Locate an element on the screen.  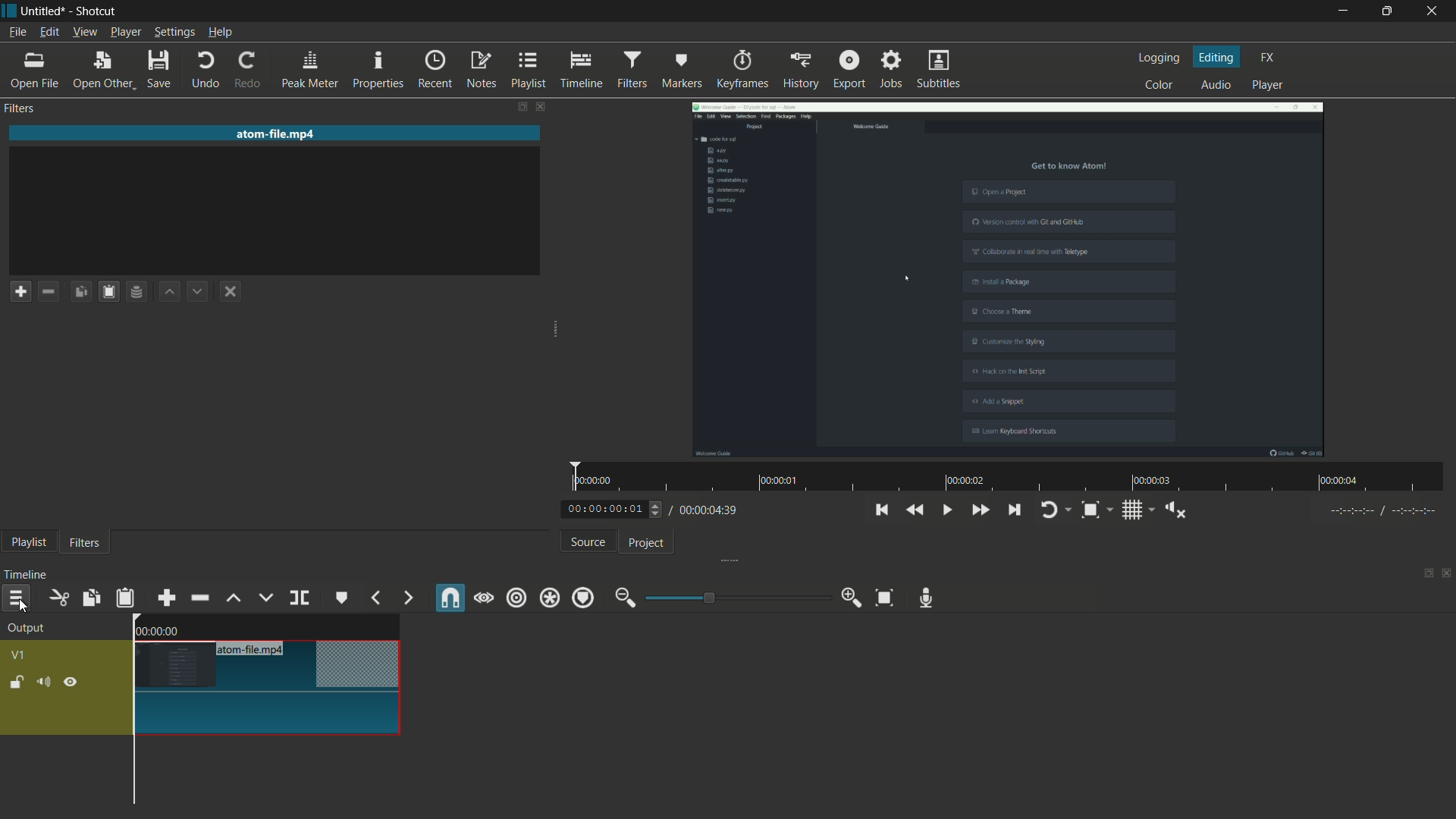
app name is located at coordinates (99, 12).